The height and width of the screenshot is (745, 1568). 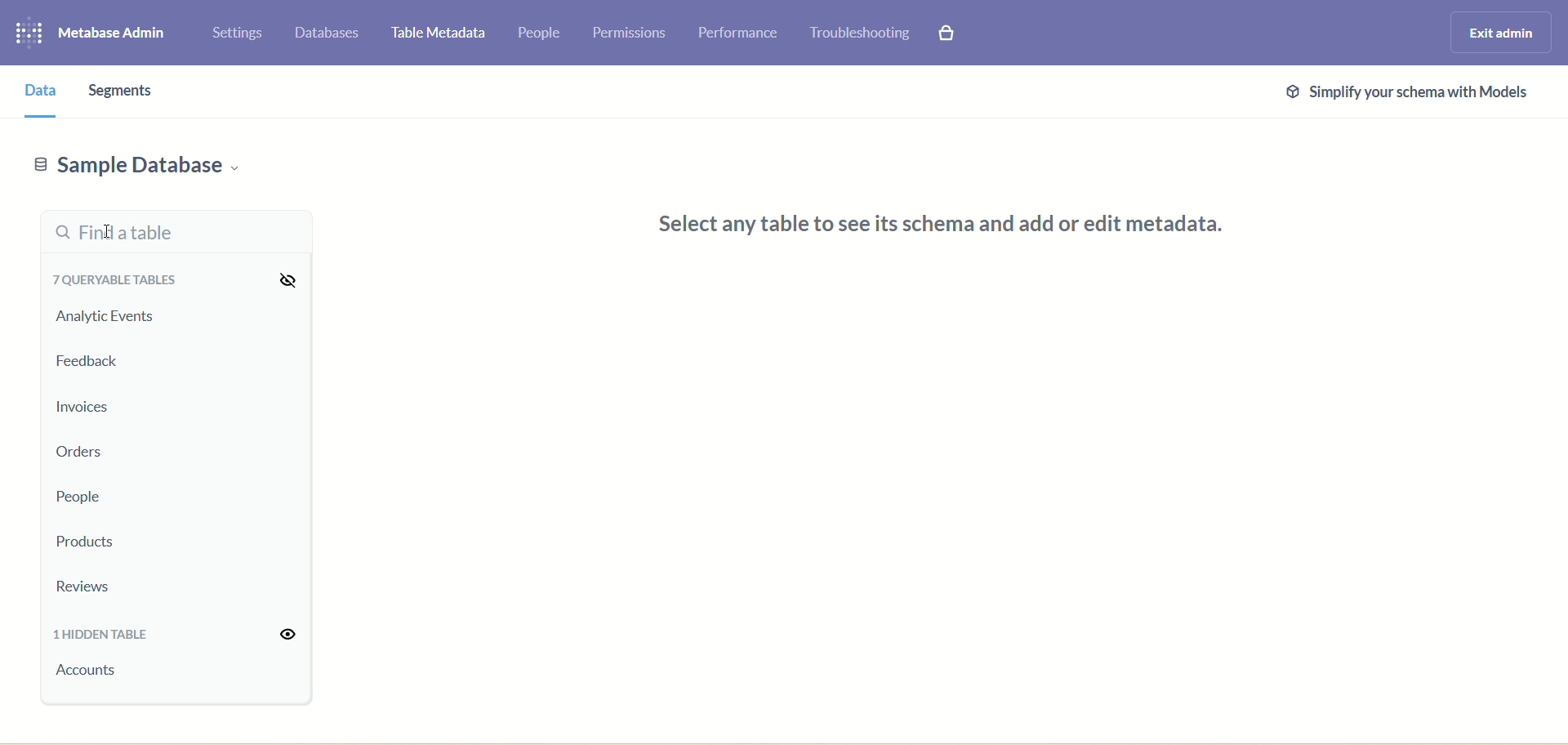 What do you see at coordinates (111, 230) in the screenshot?
I see `cursor` at bounding box center [111, 230].